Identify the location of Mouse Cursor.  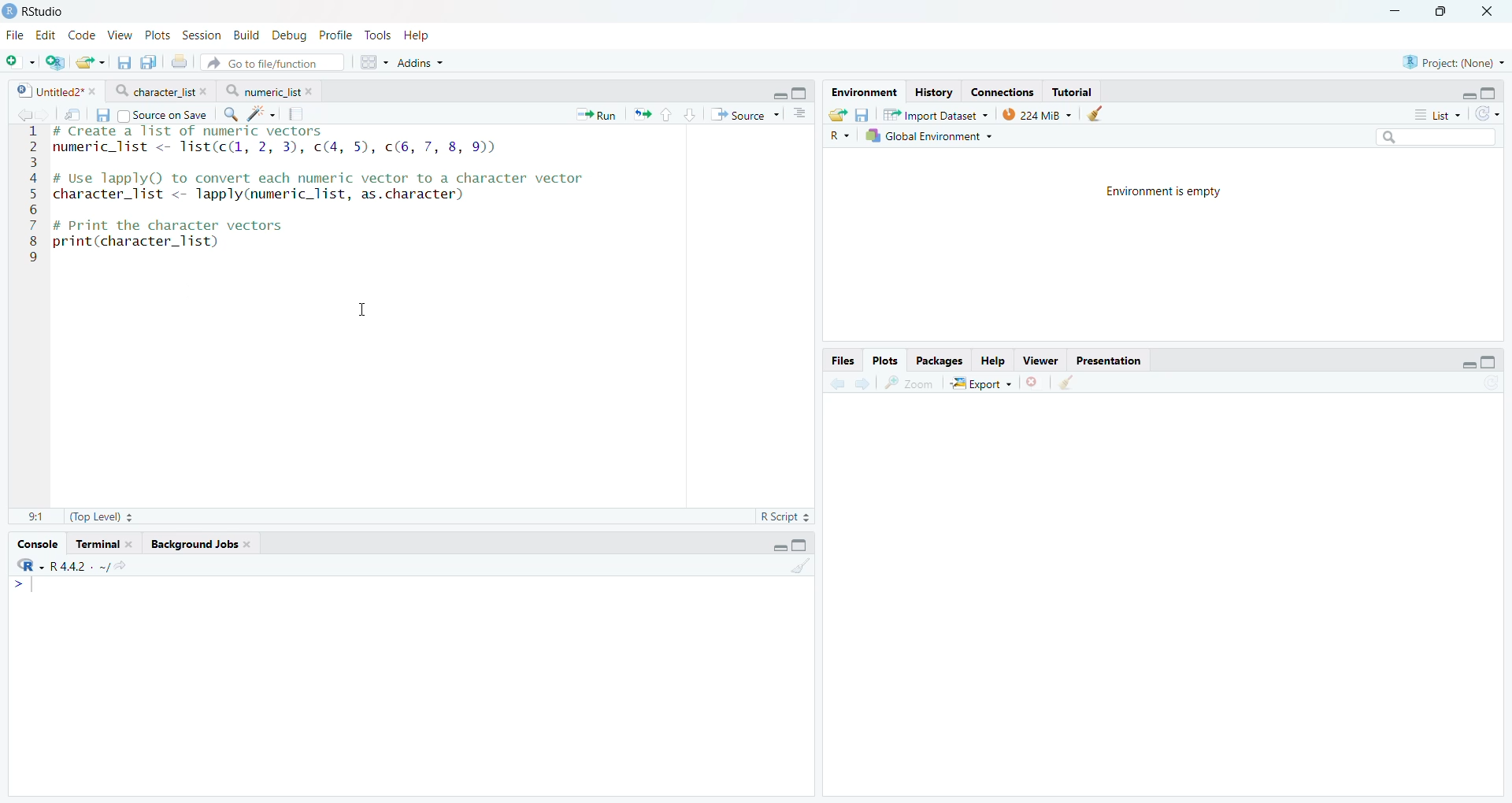
(364, 309).